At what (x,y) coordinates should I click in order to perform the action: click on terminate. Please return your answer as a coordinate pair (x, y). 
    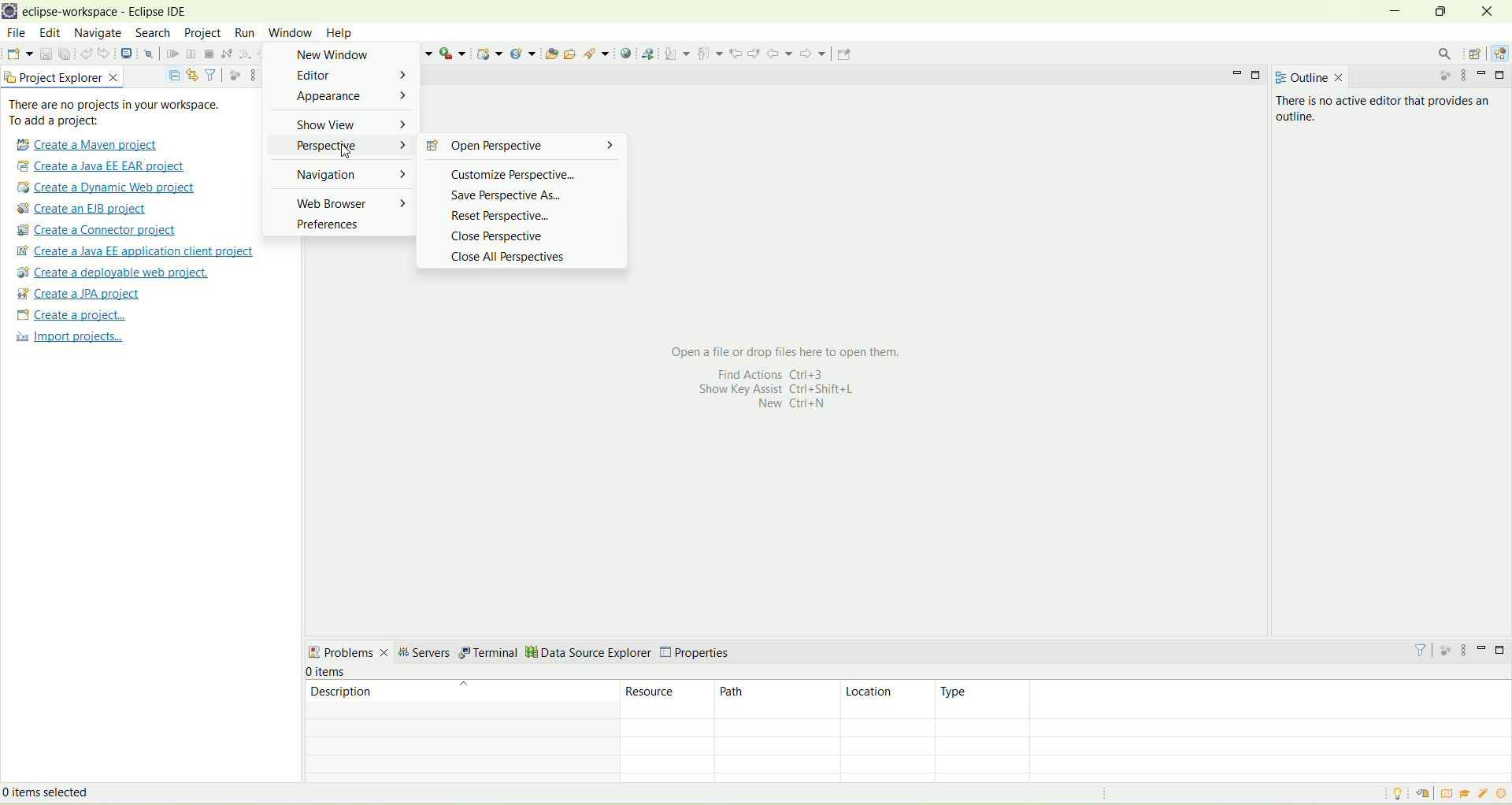
    Looking at the image, I should click on (209, 54).